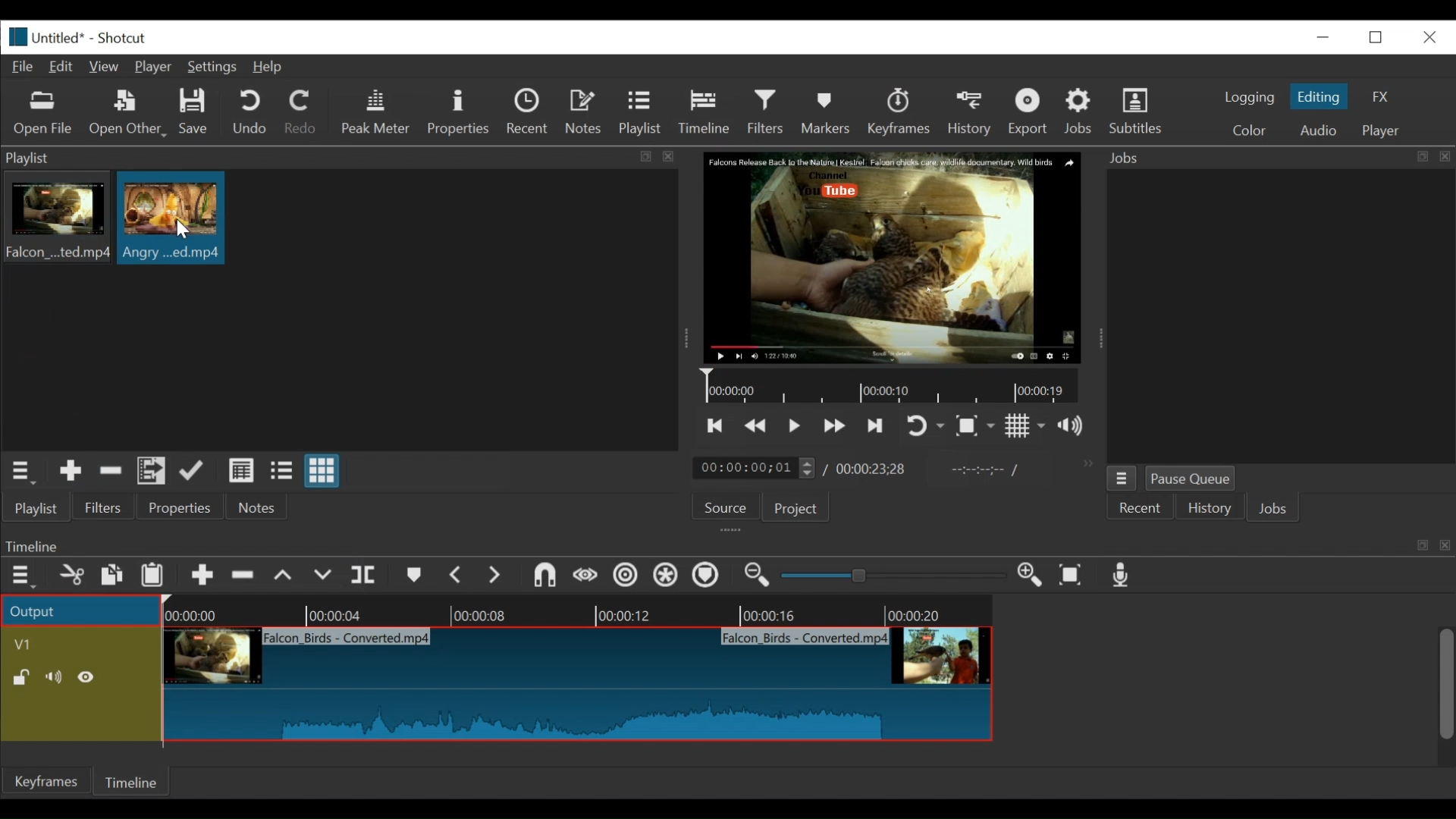  Describe the element at coordinates (876, 469) in the screenshot. I see `Total duration` at that location.